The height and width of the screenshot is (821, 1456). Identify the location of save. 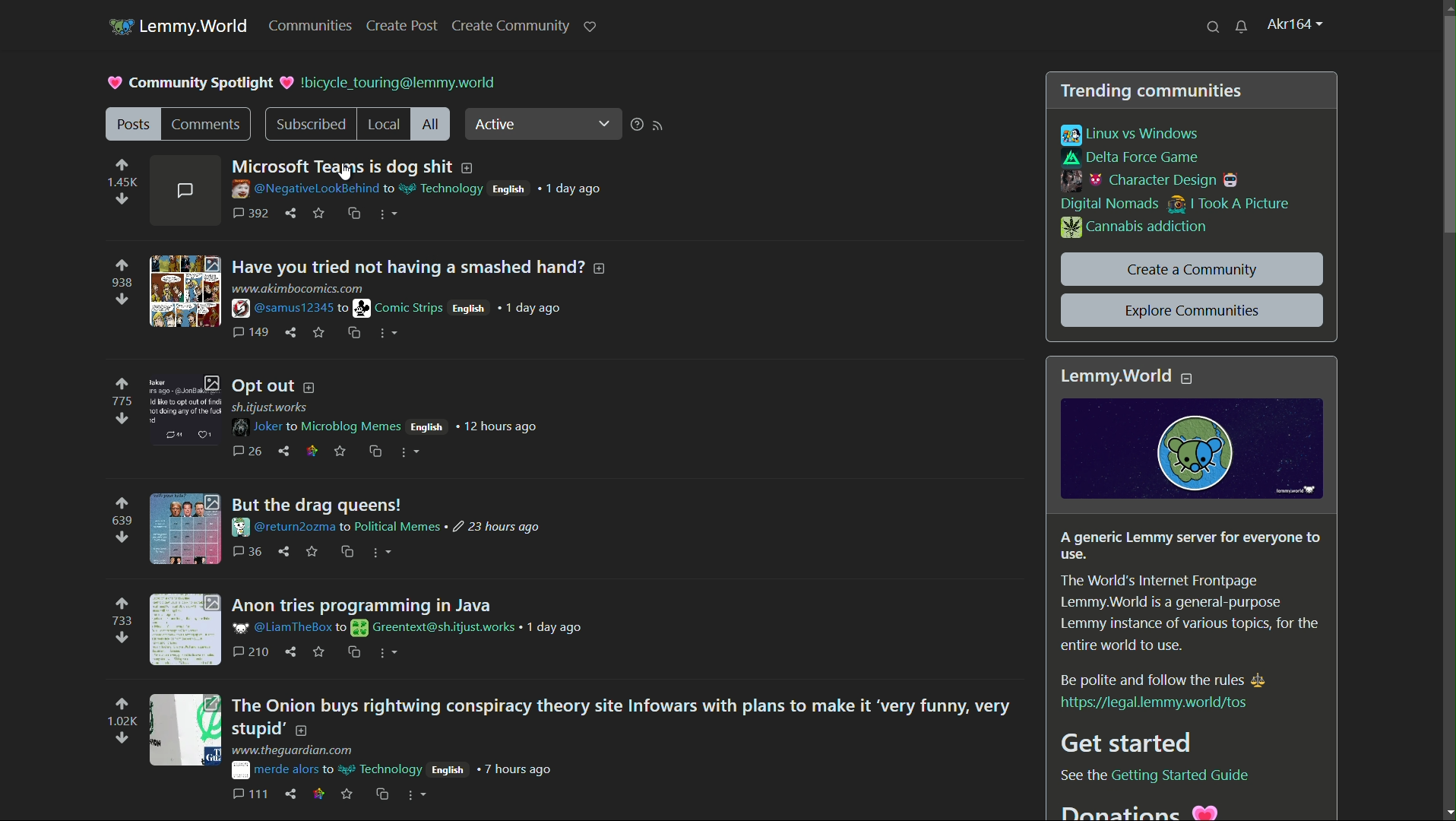
(320, 652).